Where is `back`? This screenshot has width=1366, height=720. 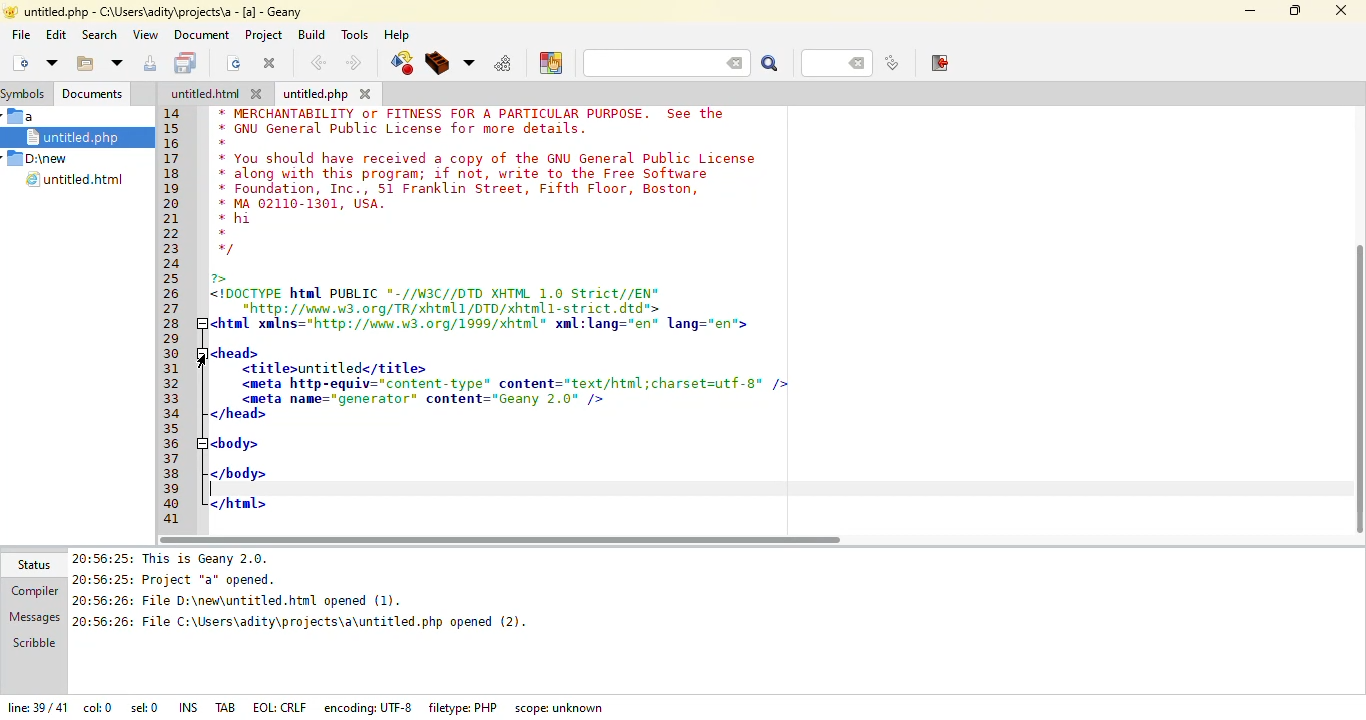 back is located at coordinates (319, 62).